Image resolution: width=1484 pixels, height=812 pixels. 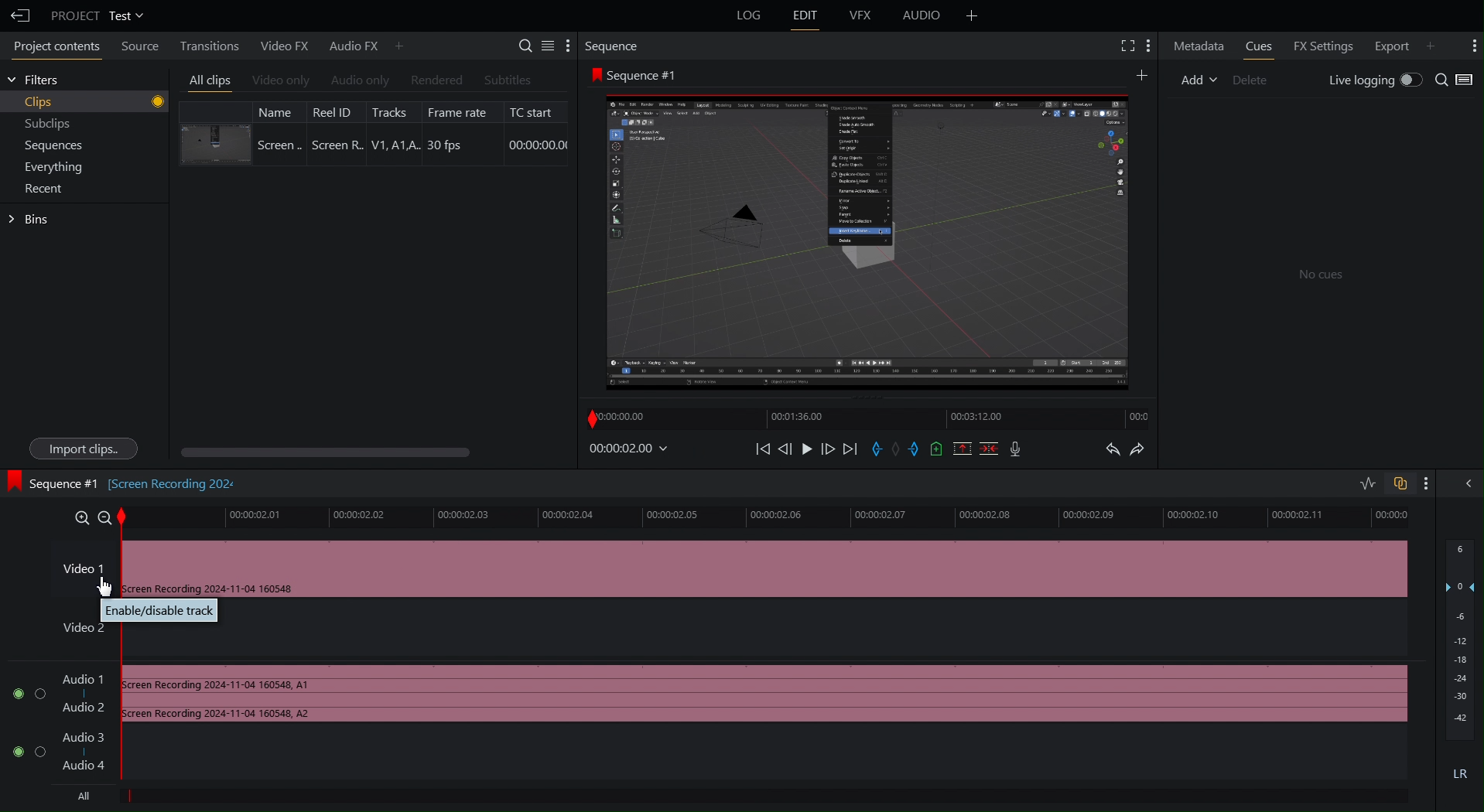 What do you see at coordinates (97, 15) in the screenshot?
I see `Project Test` at bounding box center [97, 15].